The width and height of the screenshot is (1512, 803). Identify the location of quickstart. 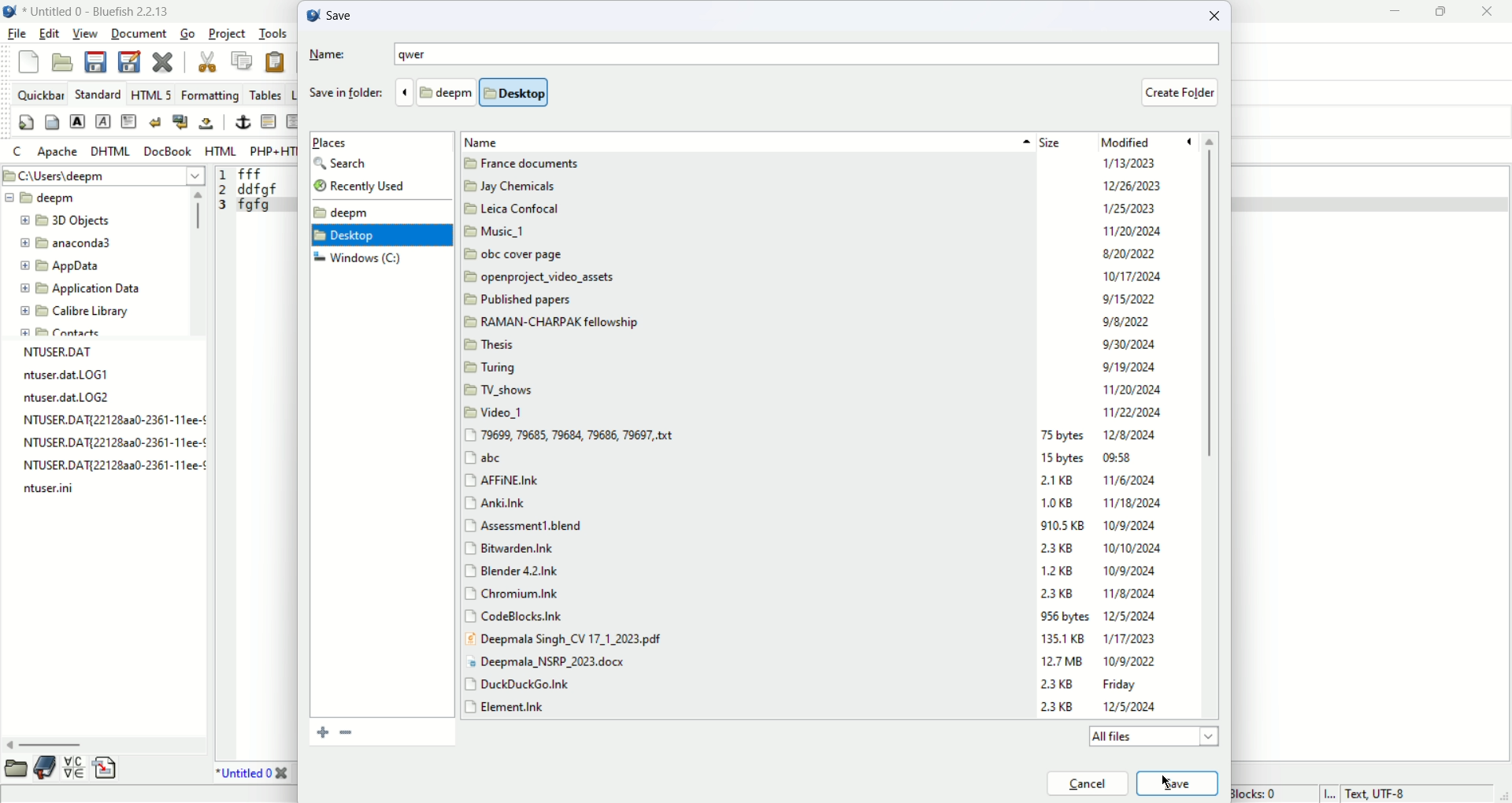
(28, 122).